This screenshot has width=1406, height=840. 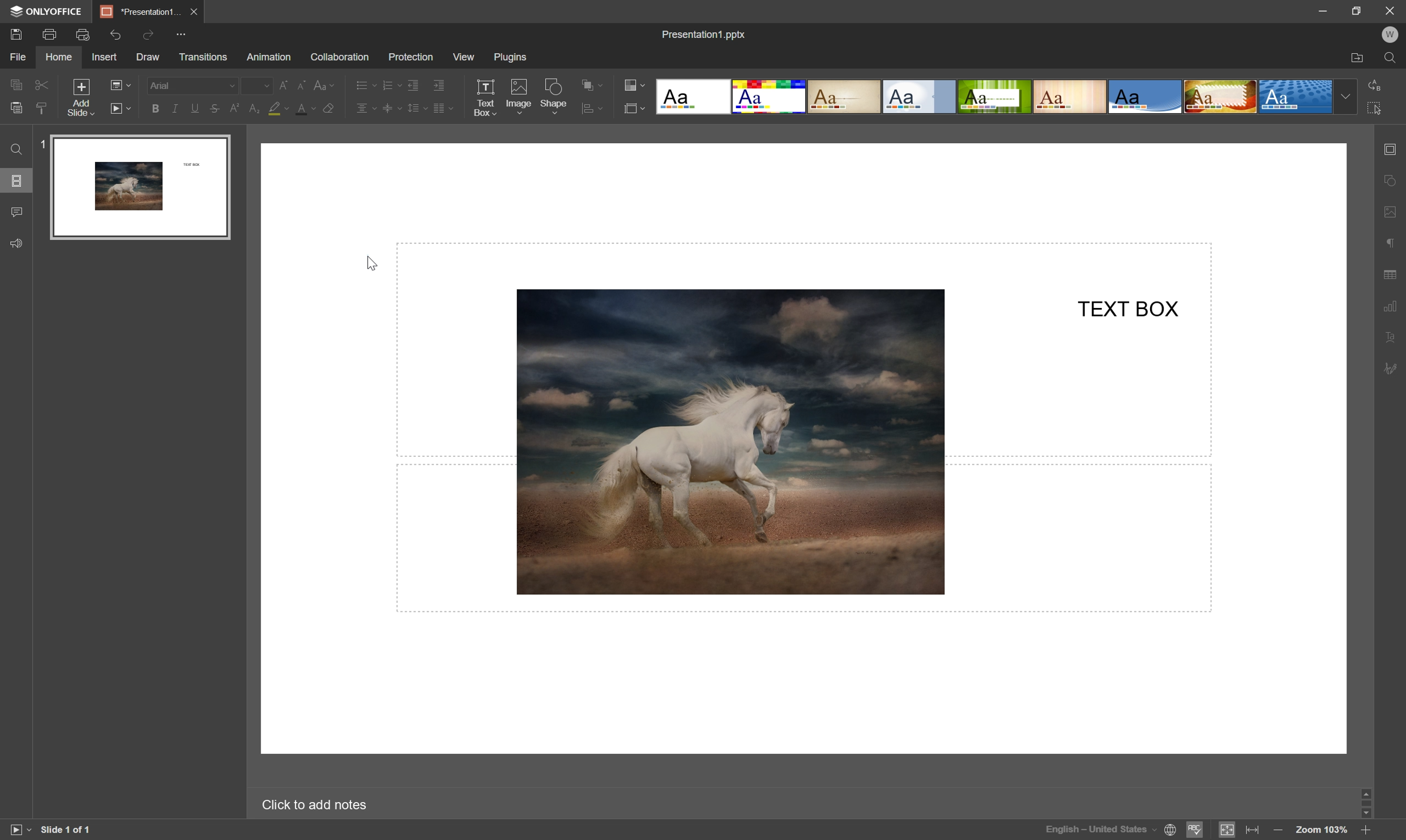 What do you see at coordinates (485, 98) in the screenshot?
I see `text box` at bounding box center [485, 98].